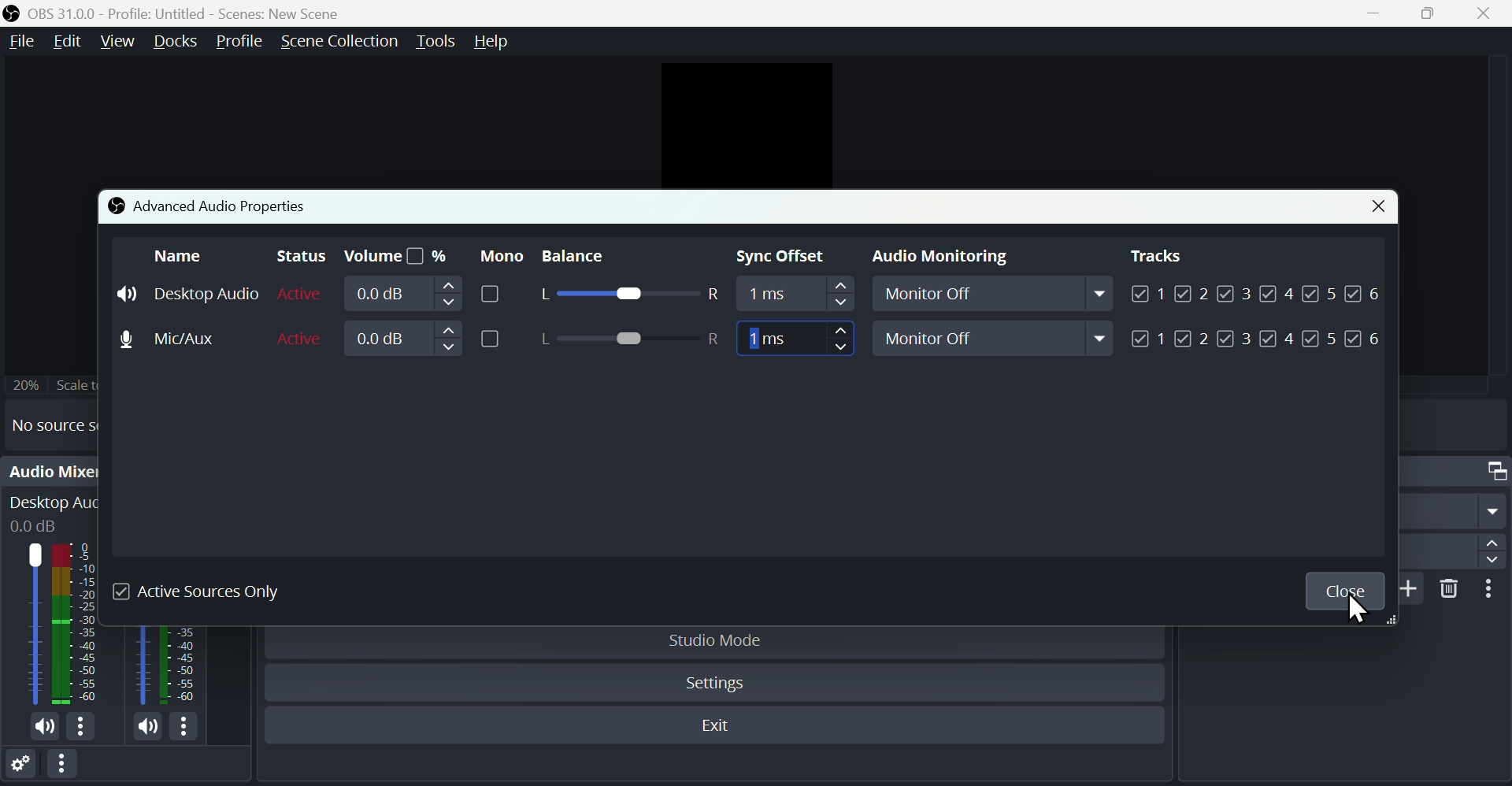 The width and height of the screenshot is (1512, 786). Describe the element at coordinates (302, 337) in the screenshot. I see `Active` at that location.